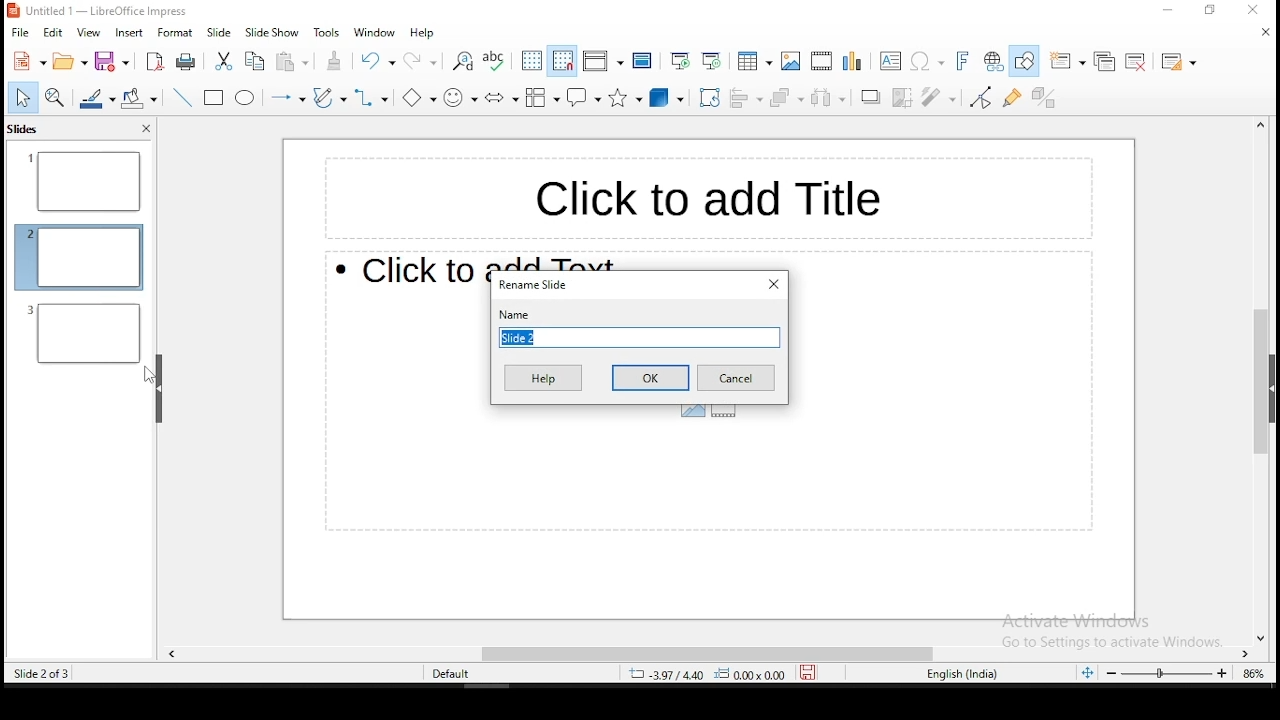 This screenshot has width=1280, height=720. I want to click on close pane, so click(145, 129).